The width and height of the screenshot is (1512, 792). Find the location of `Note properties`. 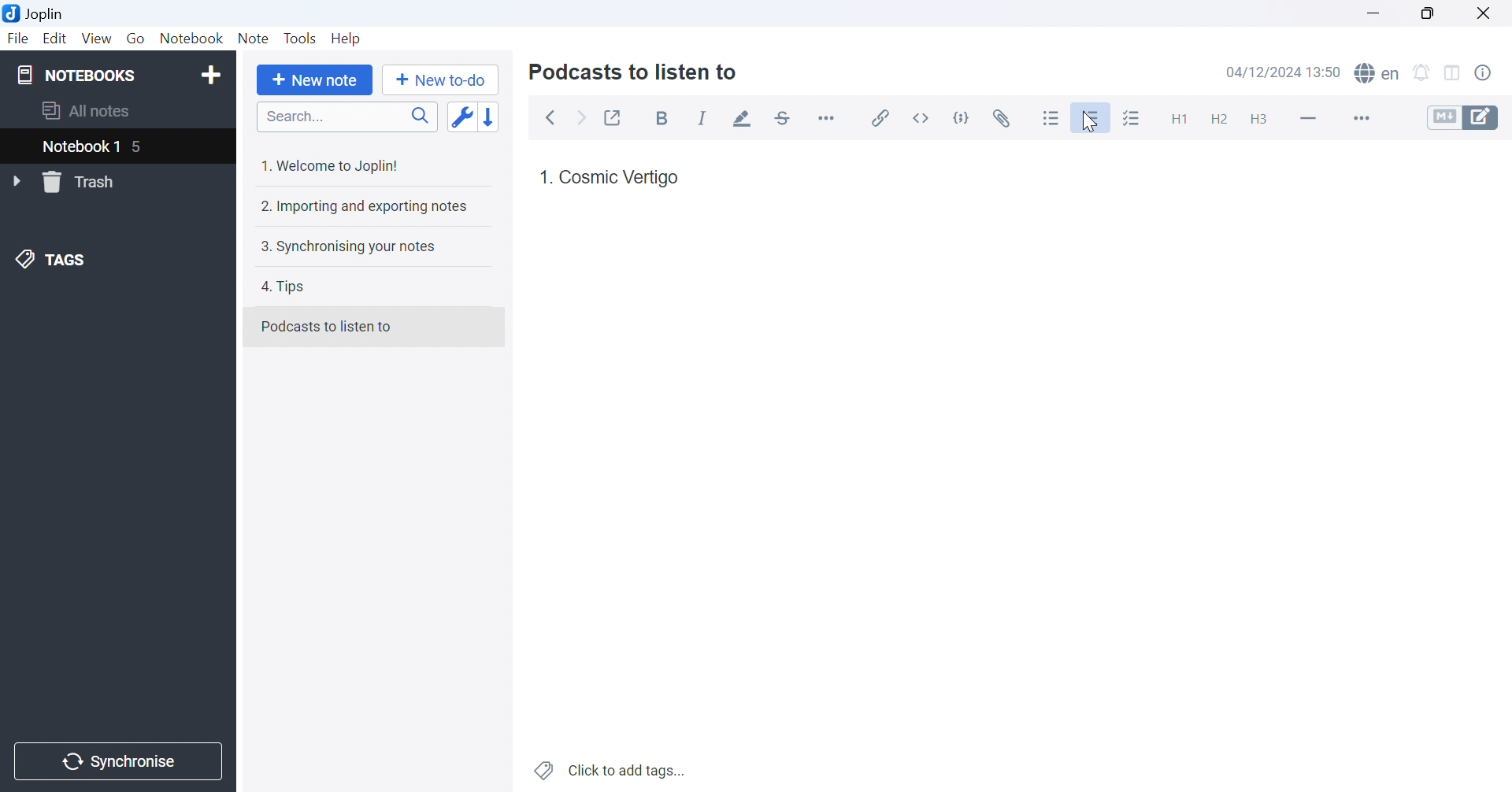

Note properties is located at coordinates (1492, 76).